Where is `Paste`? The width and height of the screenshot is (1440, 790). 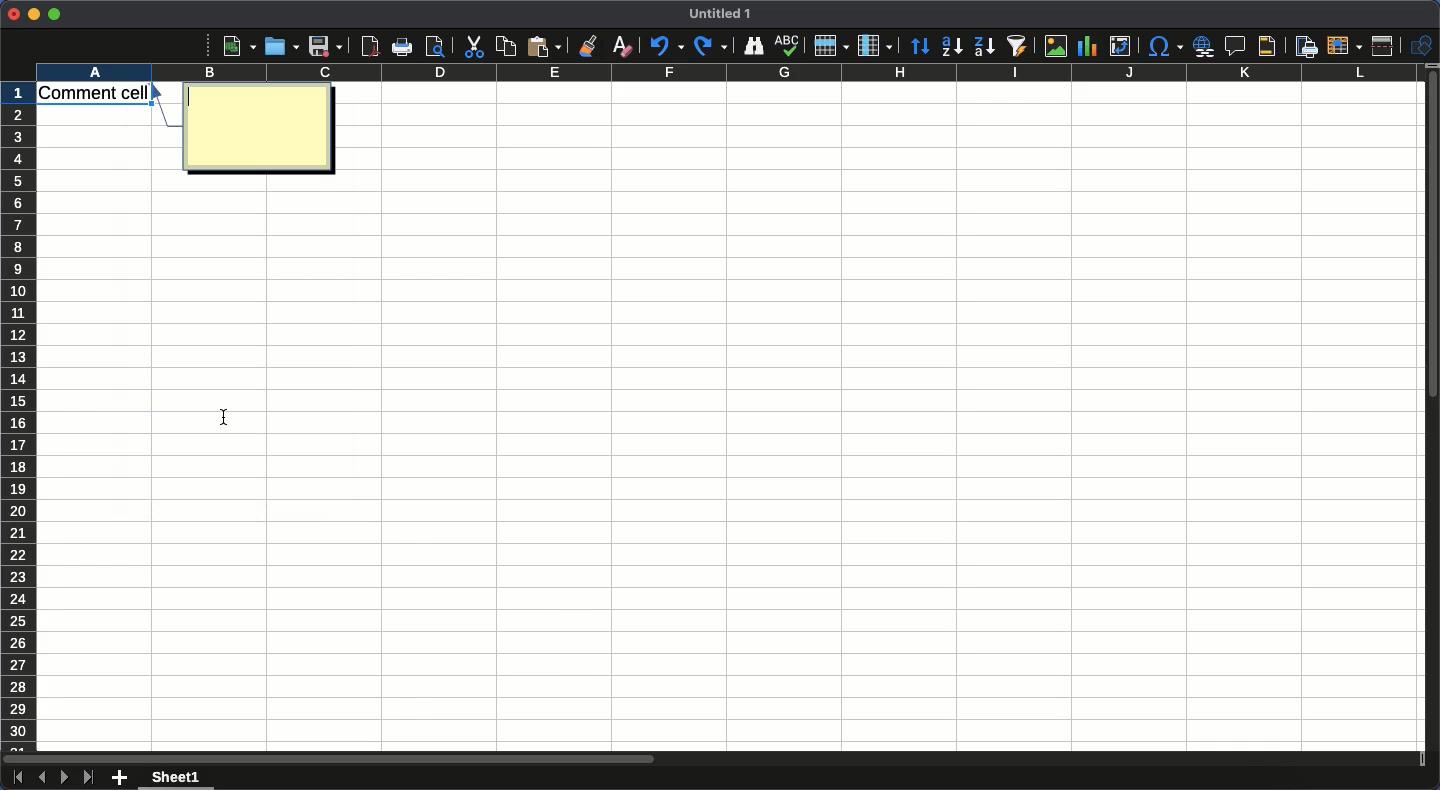 Paste is located at coordinates (544, 45).